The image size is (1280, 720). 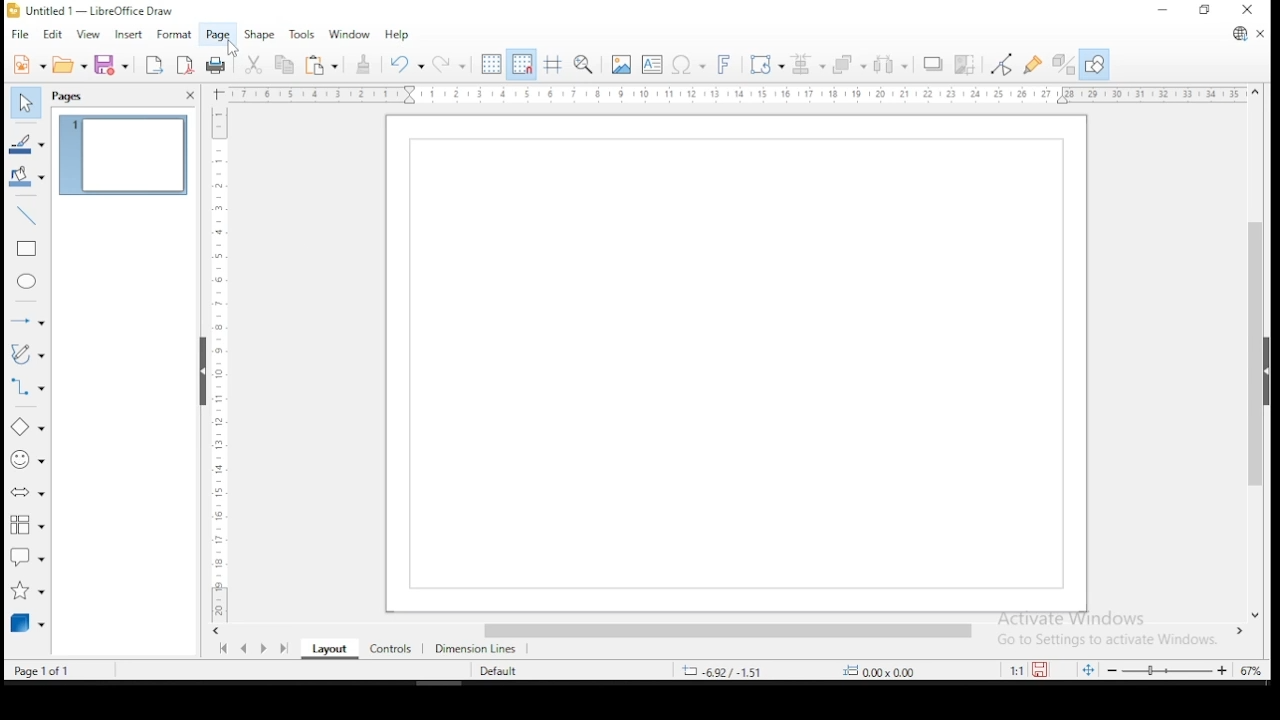 What do you see at coordinates (27, 527) in the screenshot?
I see `flowchart` at bounding box center [27, 527].